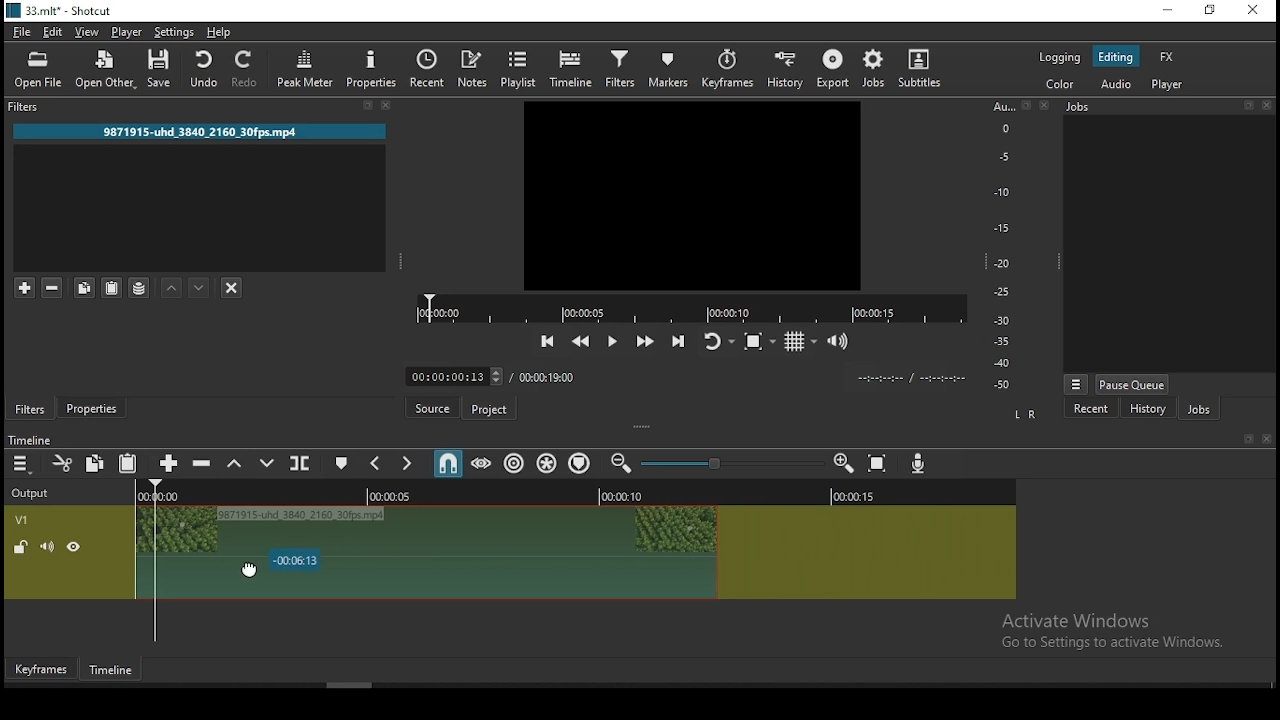 The height and width of the screenshot is (720, 1280). I want to click on show video volume control, so click(845, 339).